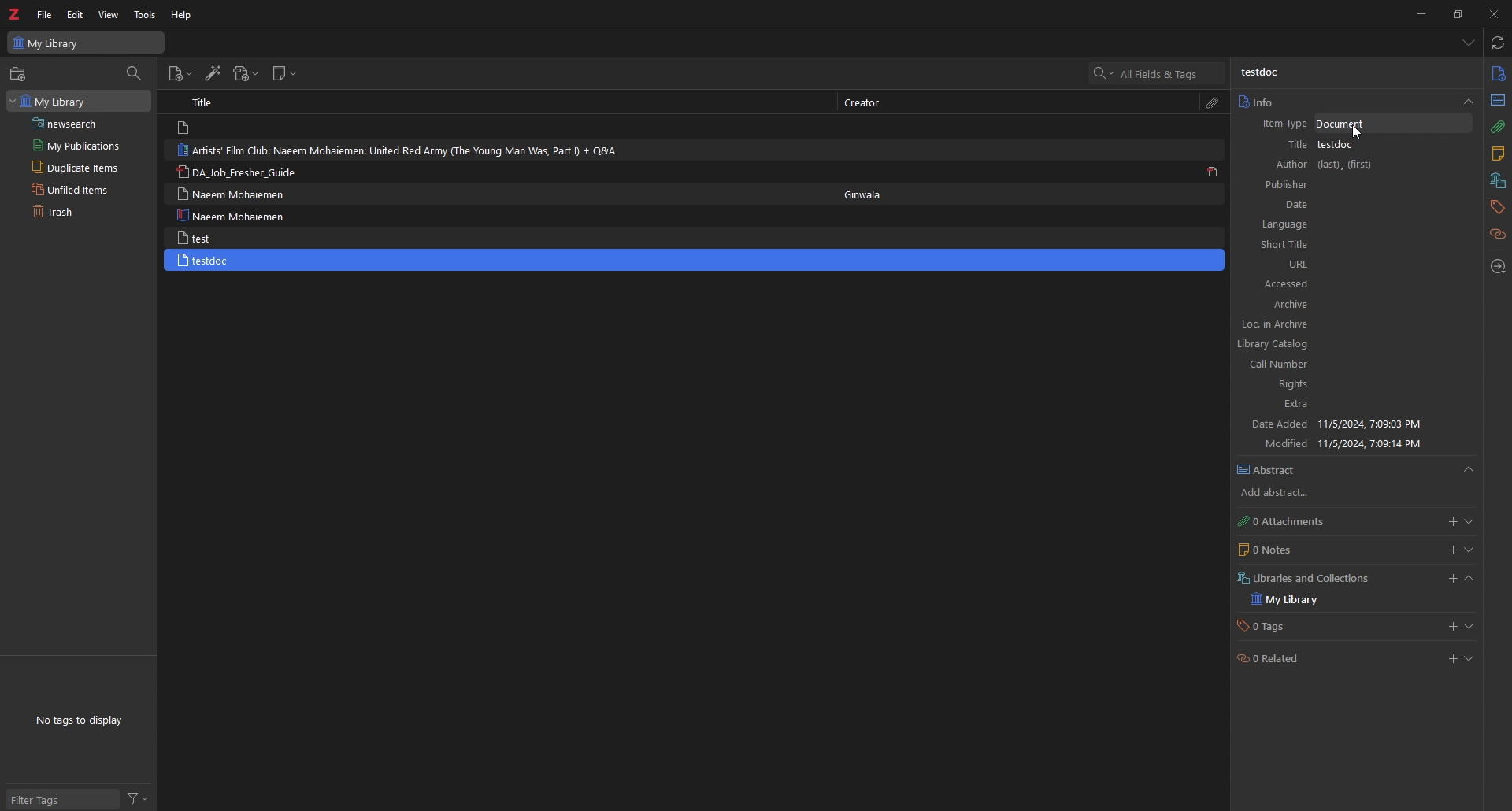  Describe the element at coordinates (239, 172) in the screenshot. I see `DA_Job_Fresher_Guide` at that location.